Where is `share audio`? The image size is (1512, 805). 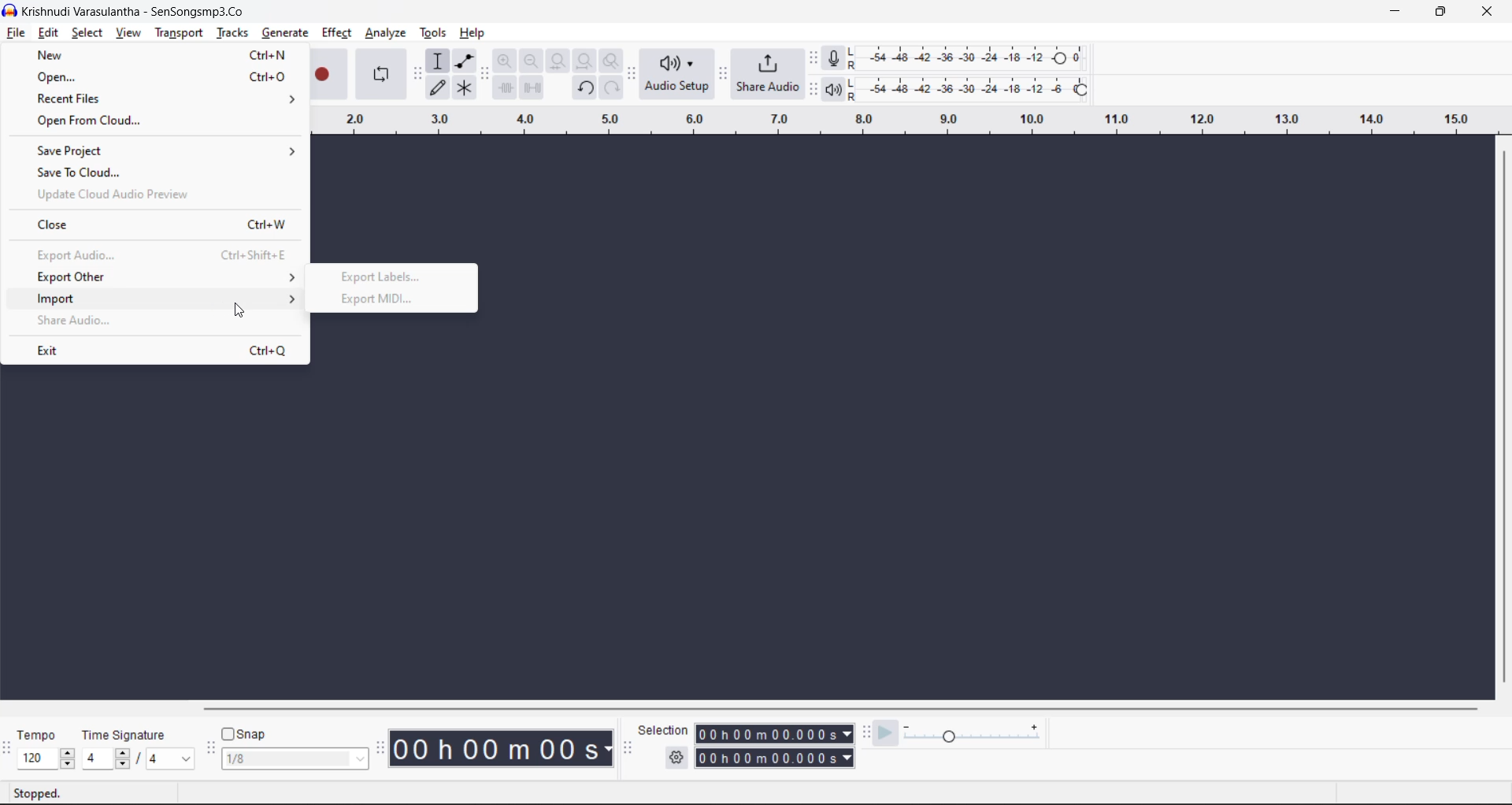 share audio is located at coordinates (74, 323).